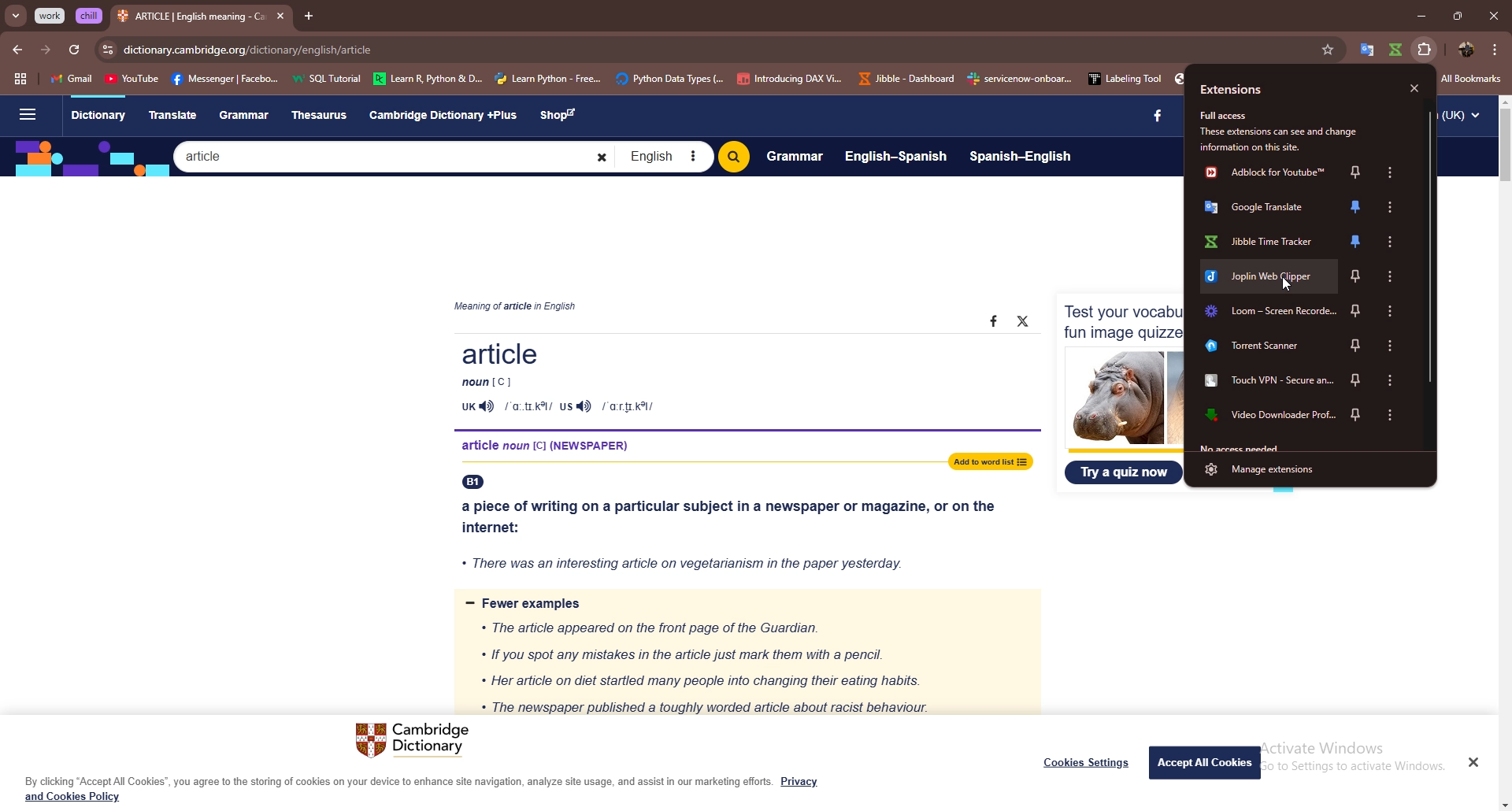 The width and height of the screenshot is (1512, 811). Describe the element at coordinates (1305, 468) in the screenshot. I see `manage extensions` at that location.